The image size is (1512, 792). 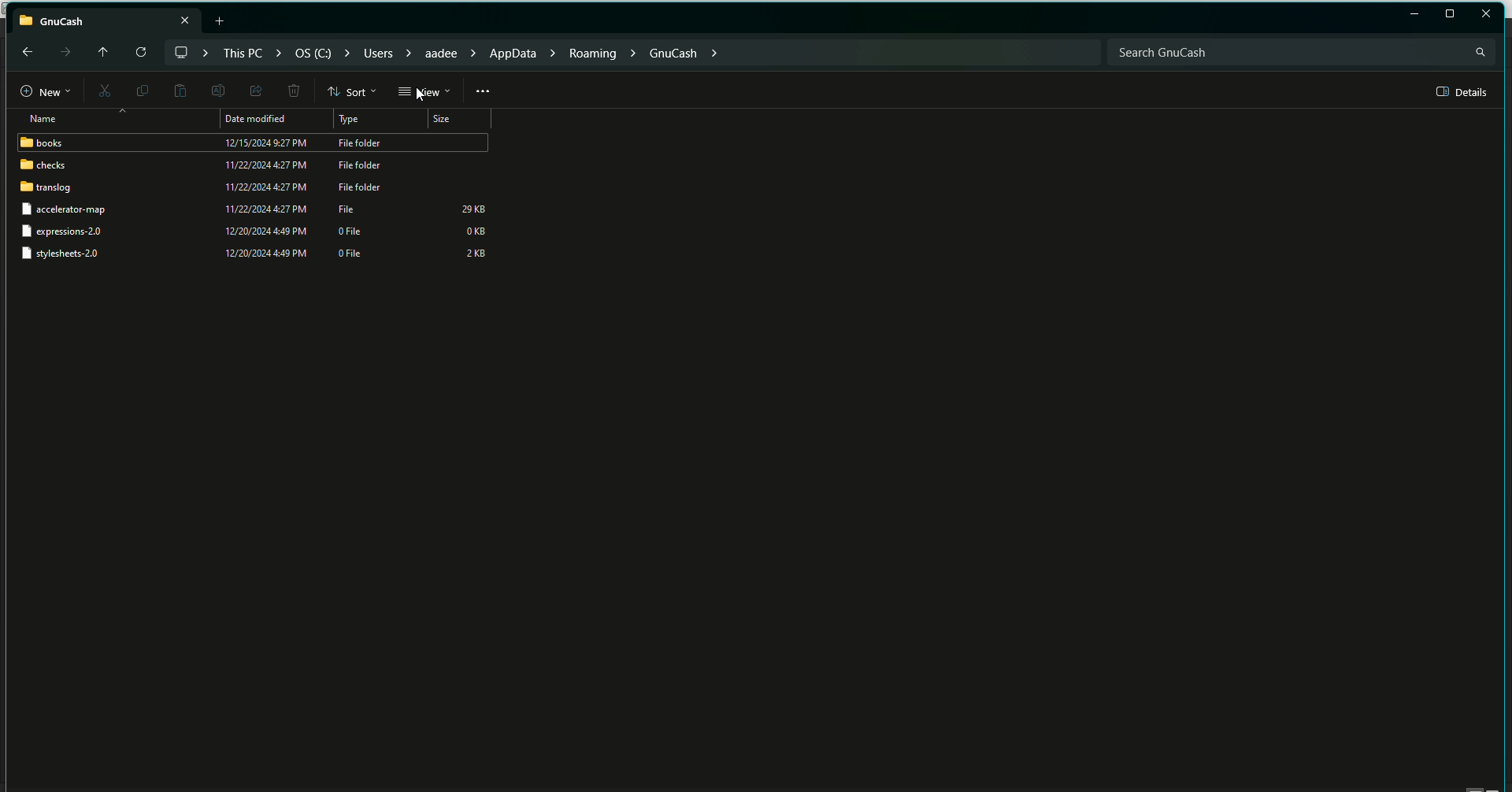 What do you see at coordinates (139, 90) in the screenshot?
I see `Copy` at bounding box center [139, 90].